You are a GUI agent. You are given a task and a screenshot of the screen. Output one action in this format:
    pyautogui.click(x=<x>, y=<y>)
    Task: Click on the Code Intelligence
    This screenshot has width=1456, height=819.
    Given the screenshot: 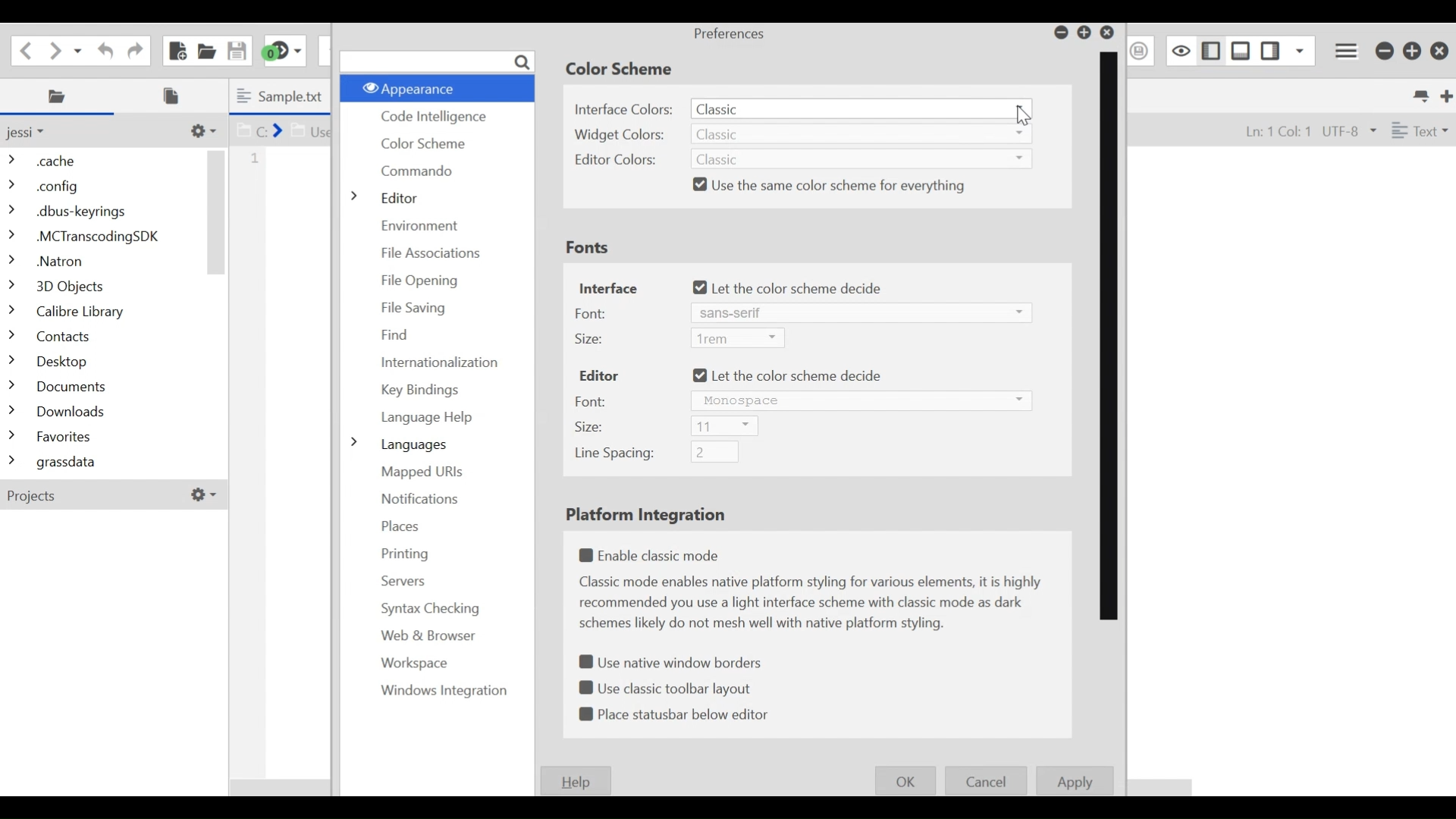 What is the action you would take?
    pyautogui.click(x=431, y=118)
    